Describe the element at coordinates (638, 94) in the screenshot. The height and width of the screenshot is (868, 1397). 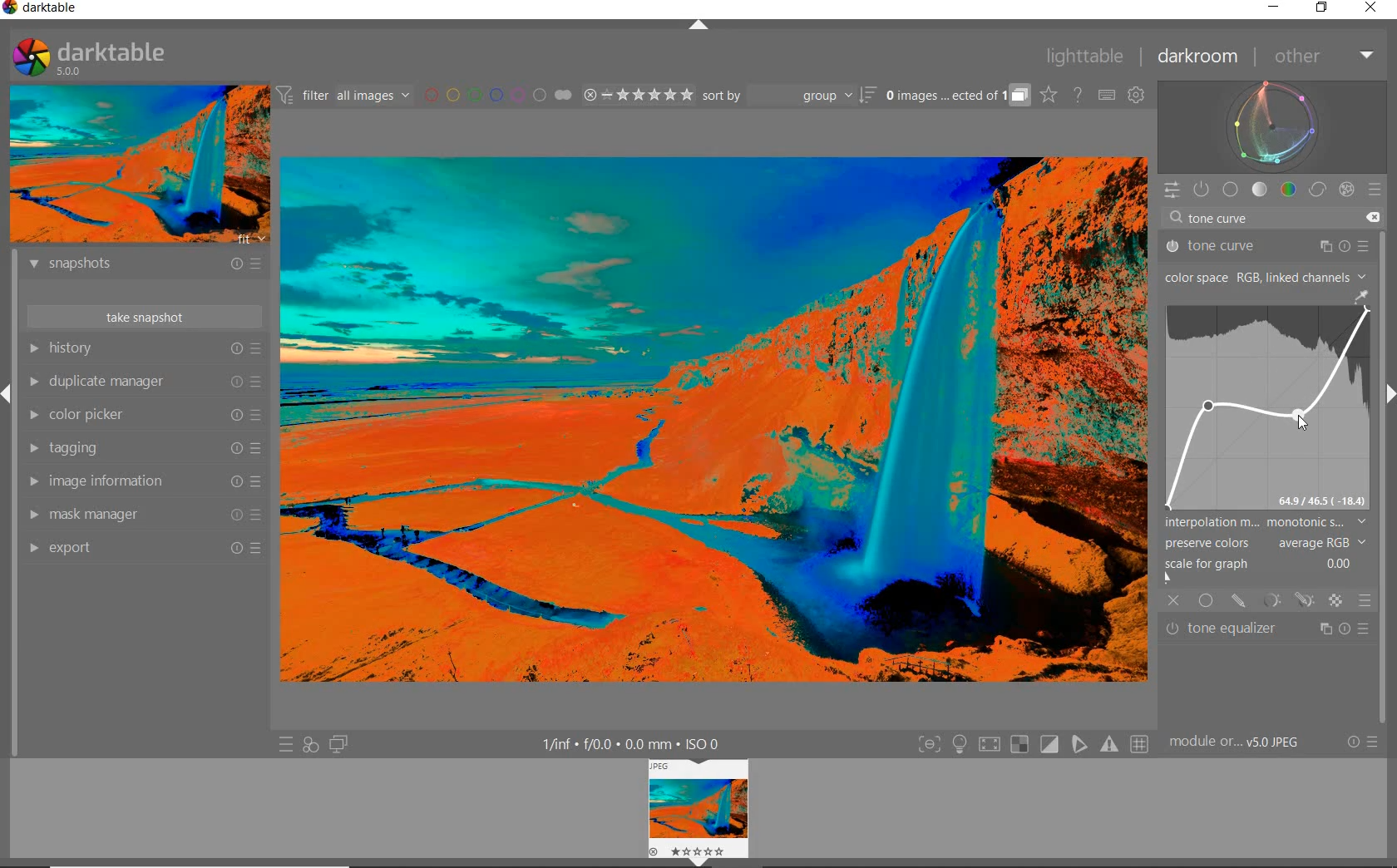
I see `RANGE RATING OF SELECTED IMAGES` at that location.